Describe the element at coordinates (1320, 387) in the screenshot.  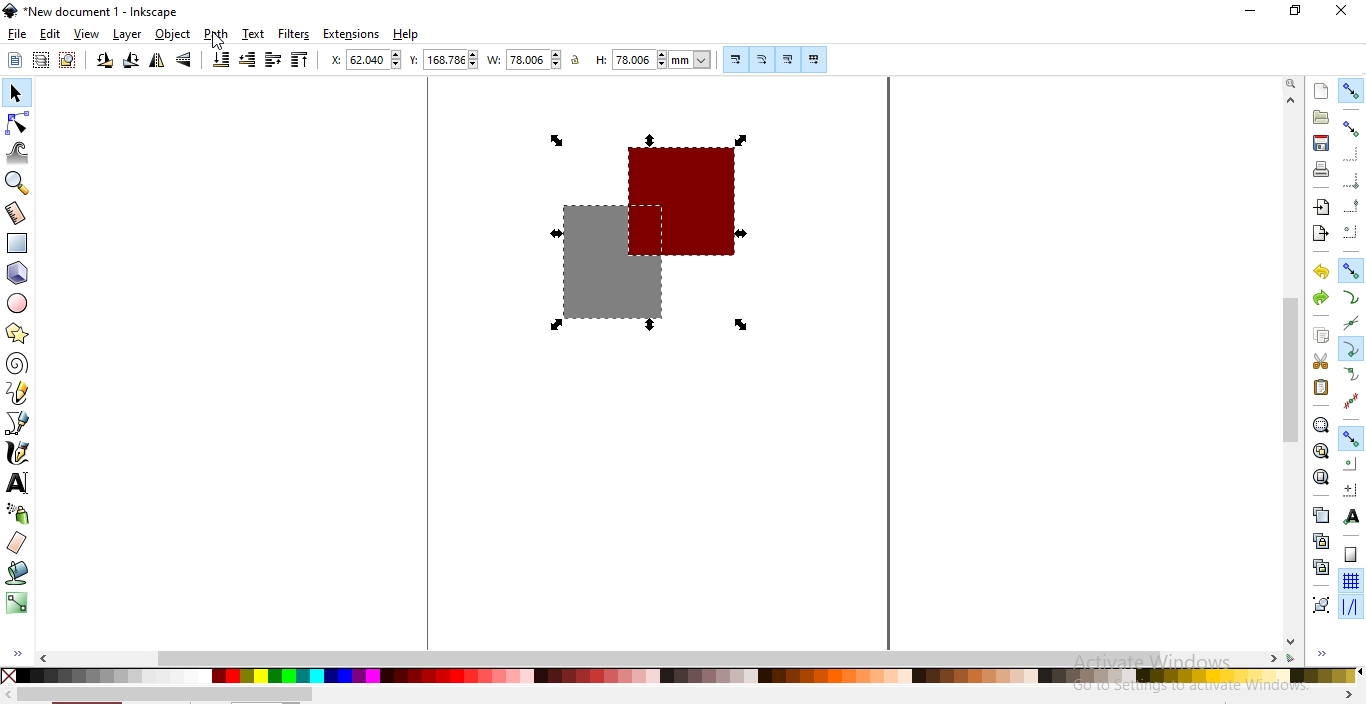
I see `paste` at that location.